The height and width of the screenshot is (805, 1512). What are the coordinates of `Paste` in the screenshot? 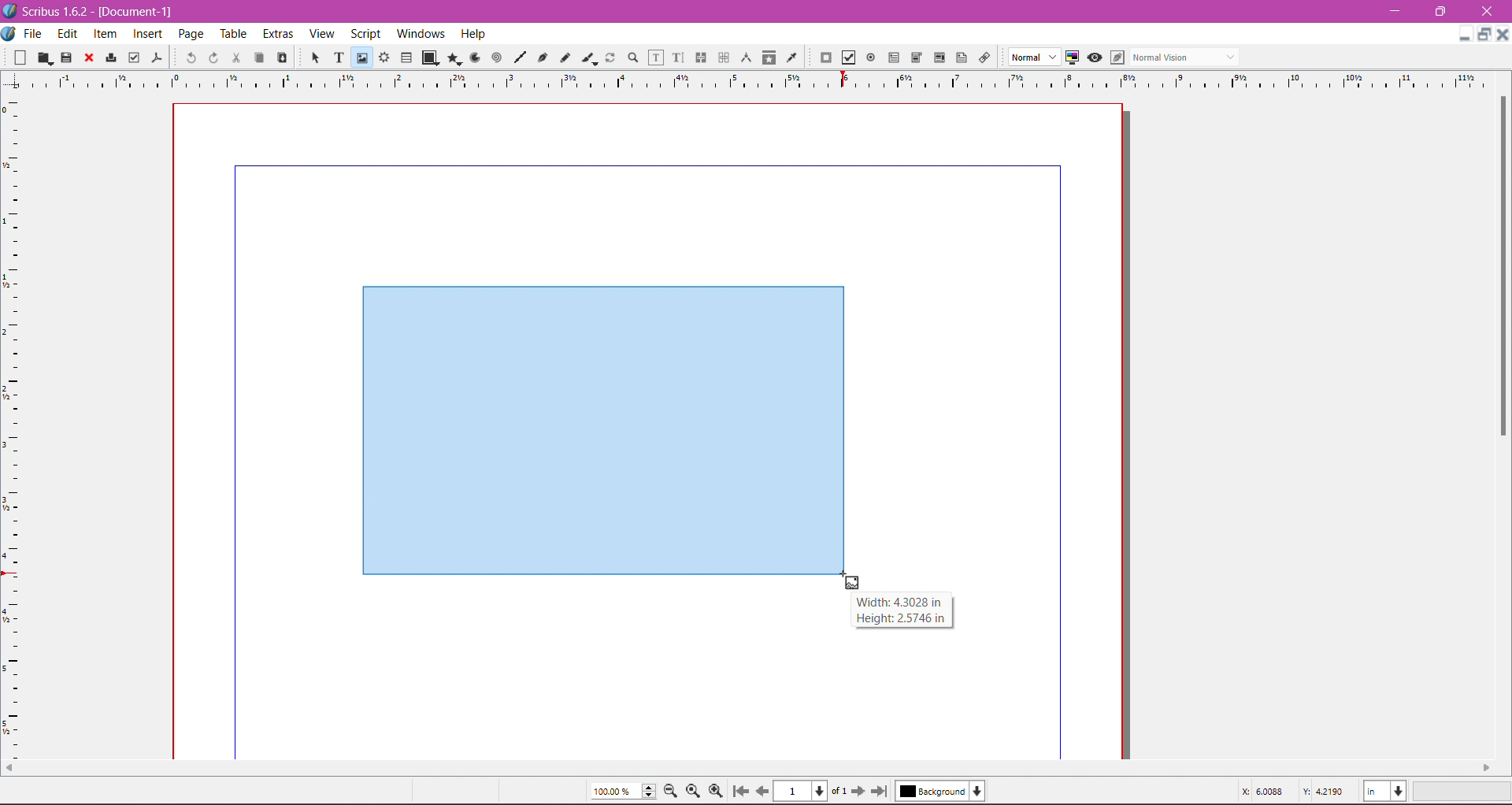 It's located at (282, 56).